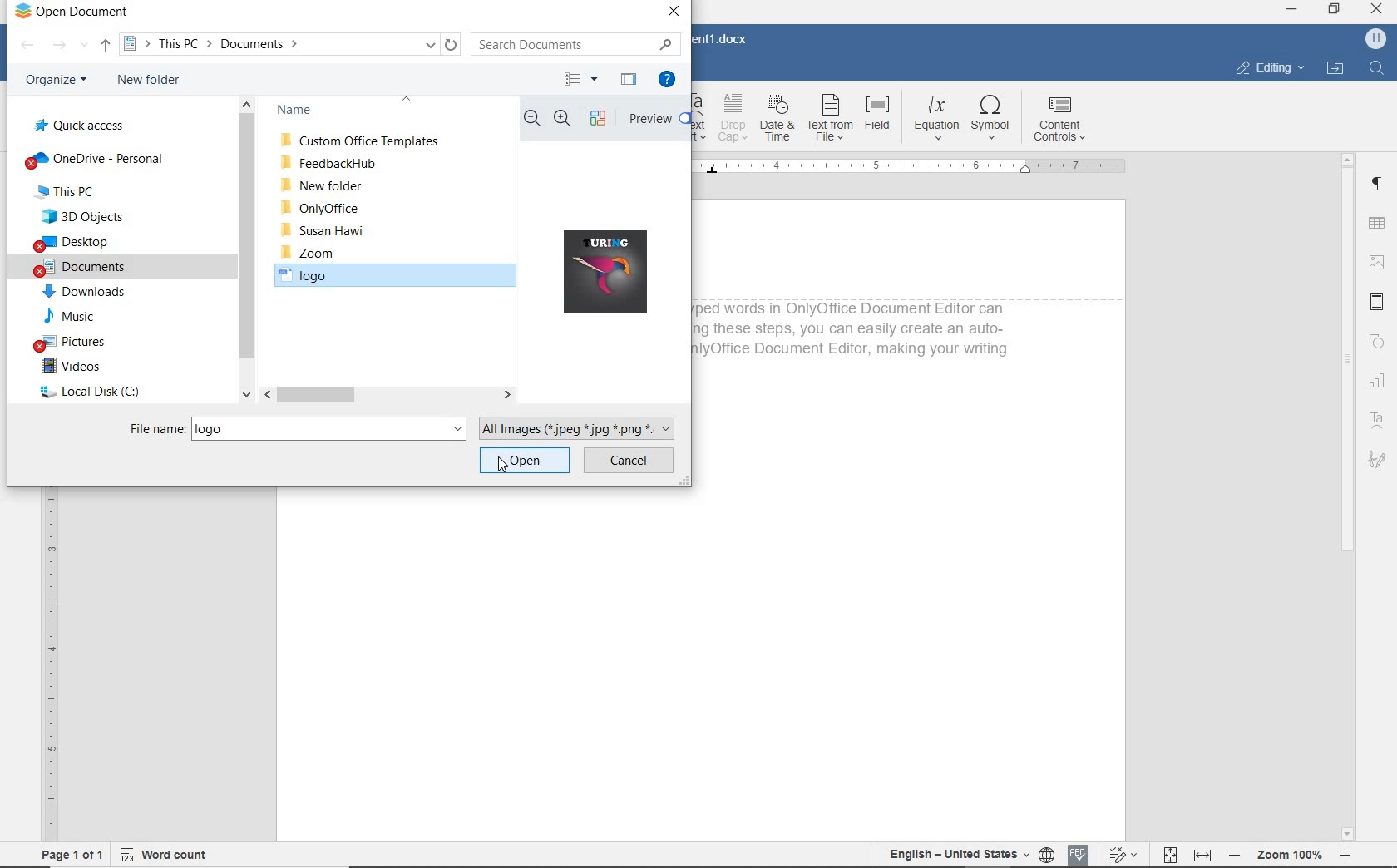 The width and height of the screenshot is (1397, 868). What do you see at coordinates (1287, 856) in the screenshot?
I see `Zoom` at bounding box center [1287, 856].